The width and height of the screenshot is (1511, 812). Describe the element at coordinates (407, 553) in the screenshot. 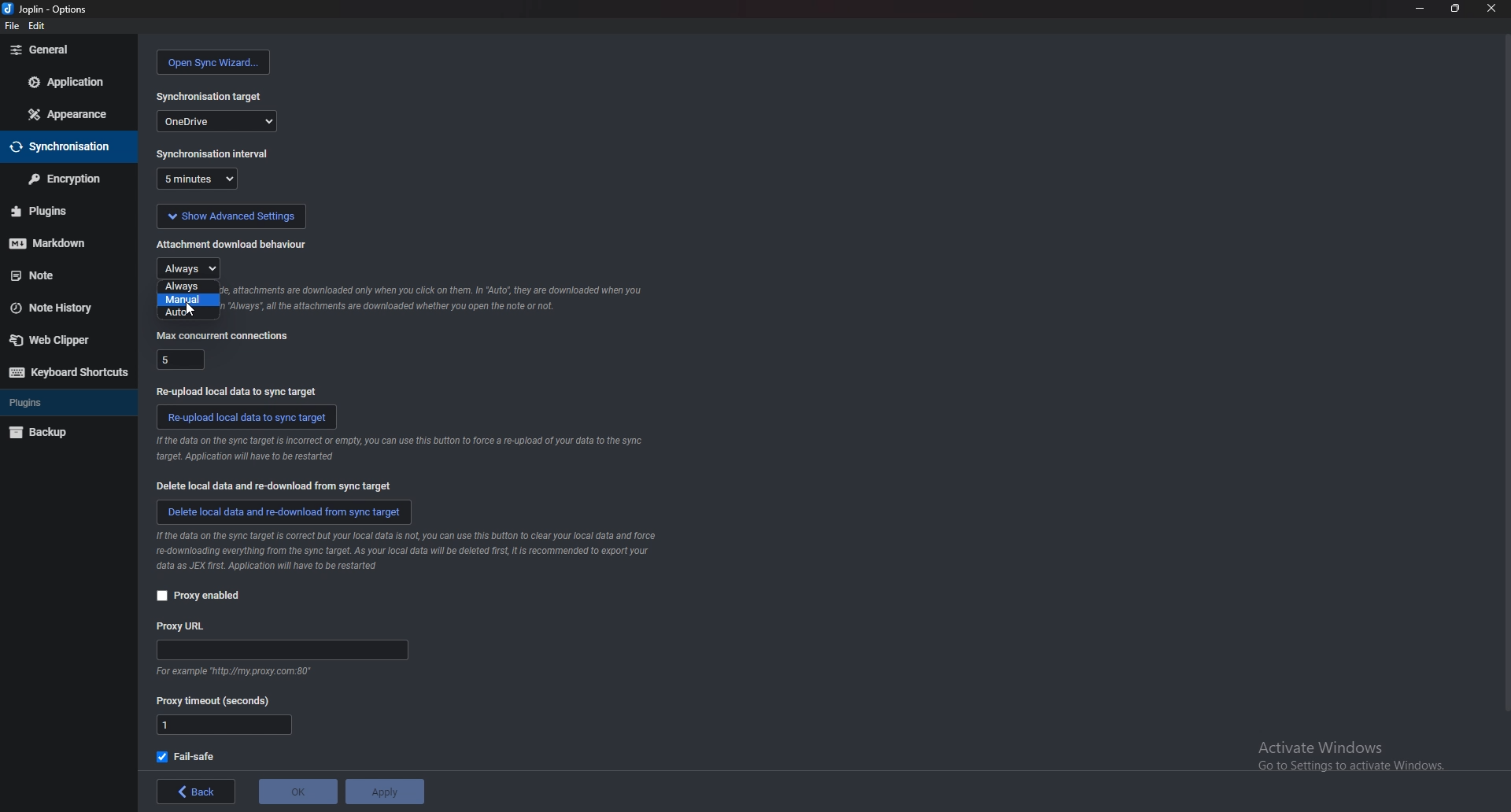

I see `info` at that location.